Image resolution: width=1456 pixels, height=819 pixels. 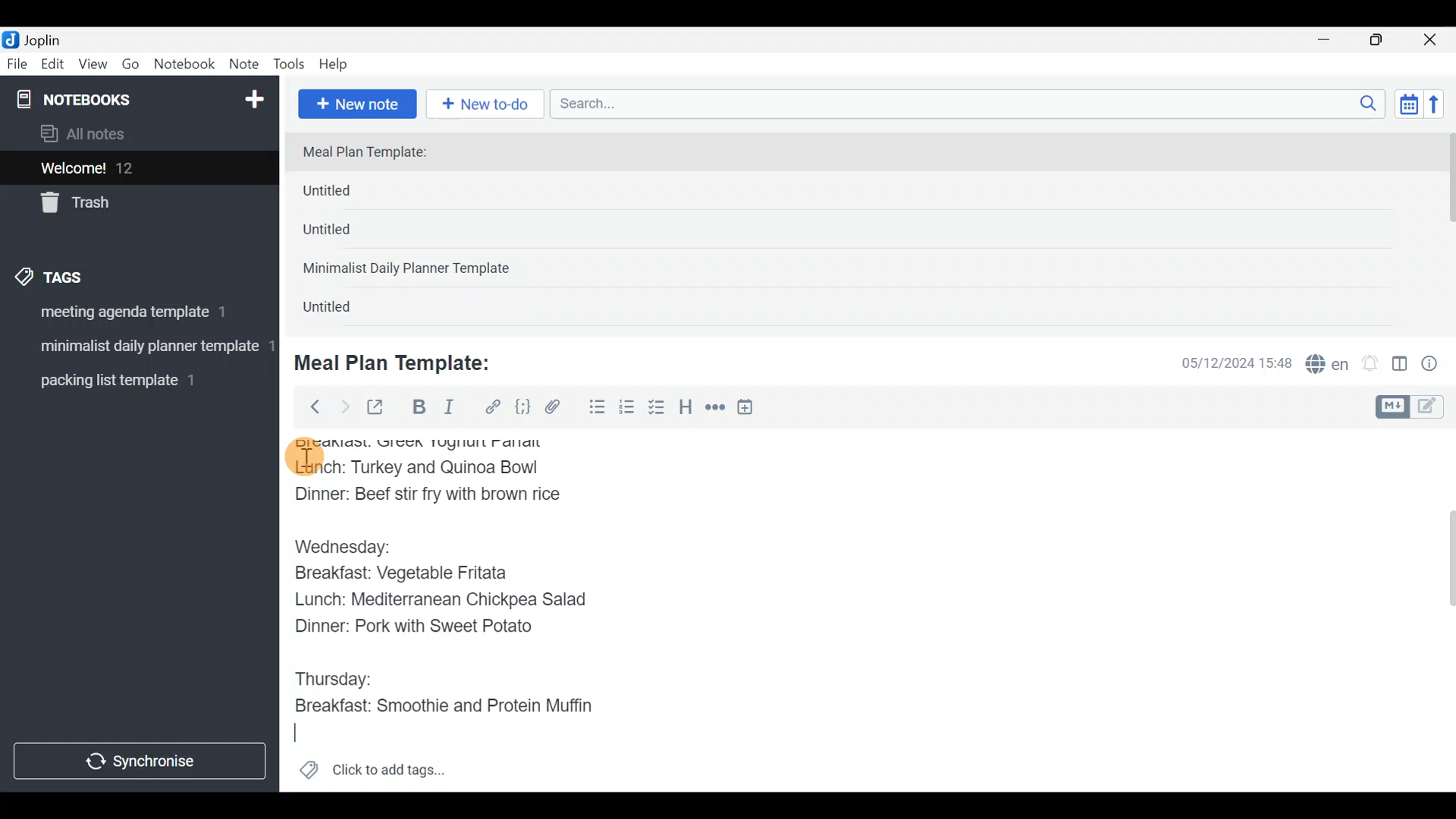 What do you see at coordinates (1414, 405) in the screenshot?
I see `Toggle editors` at bounding box center [1414, 405].